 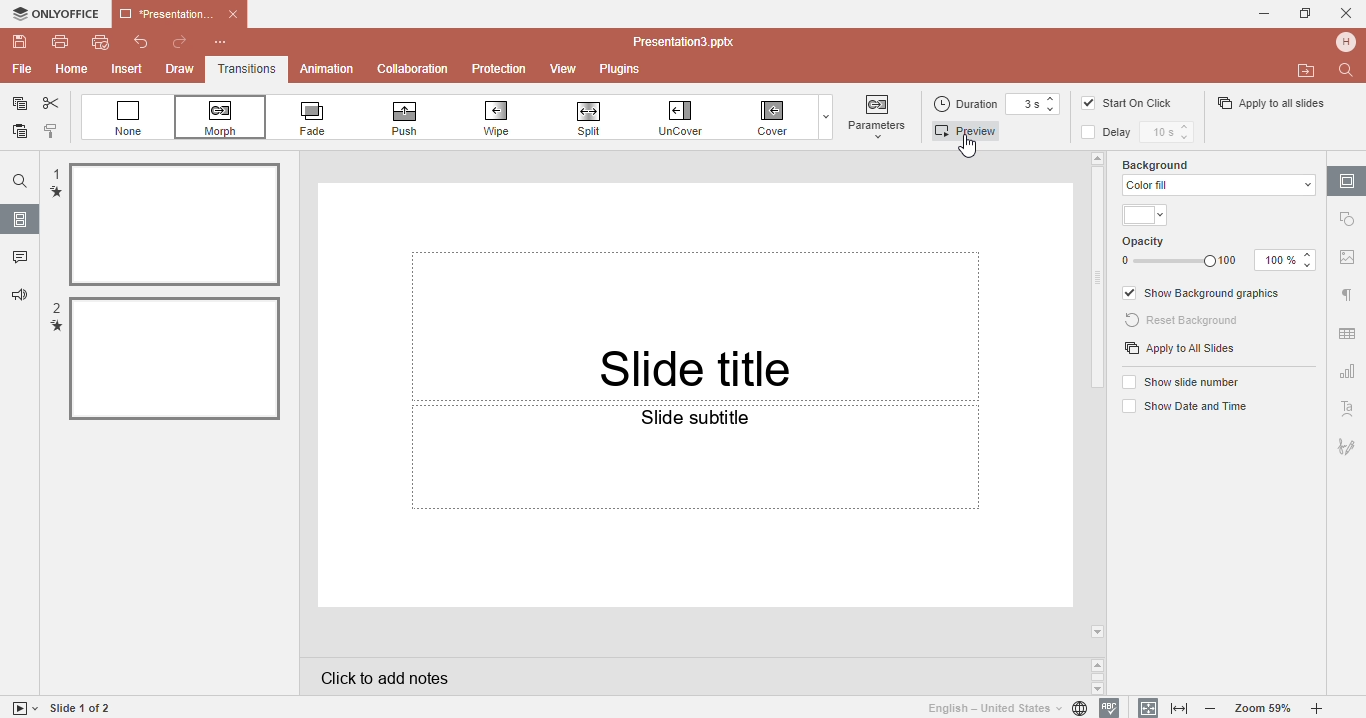 I want to click on Table setting, so click(x=1348, y=330).